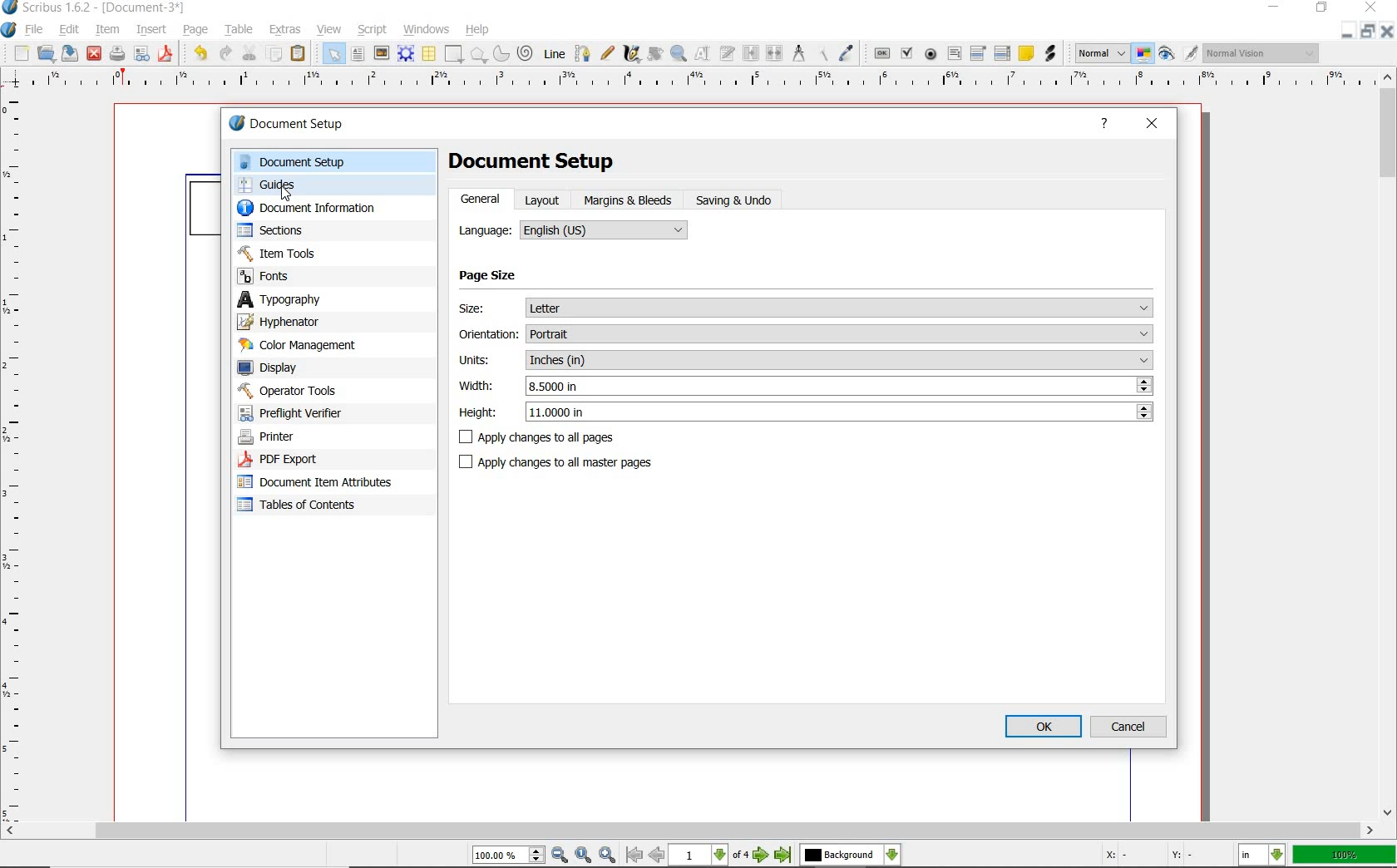 The image size is (1397, 868). I want to click on Bezier curve, so click(582, 53).